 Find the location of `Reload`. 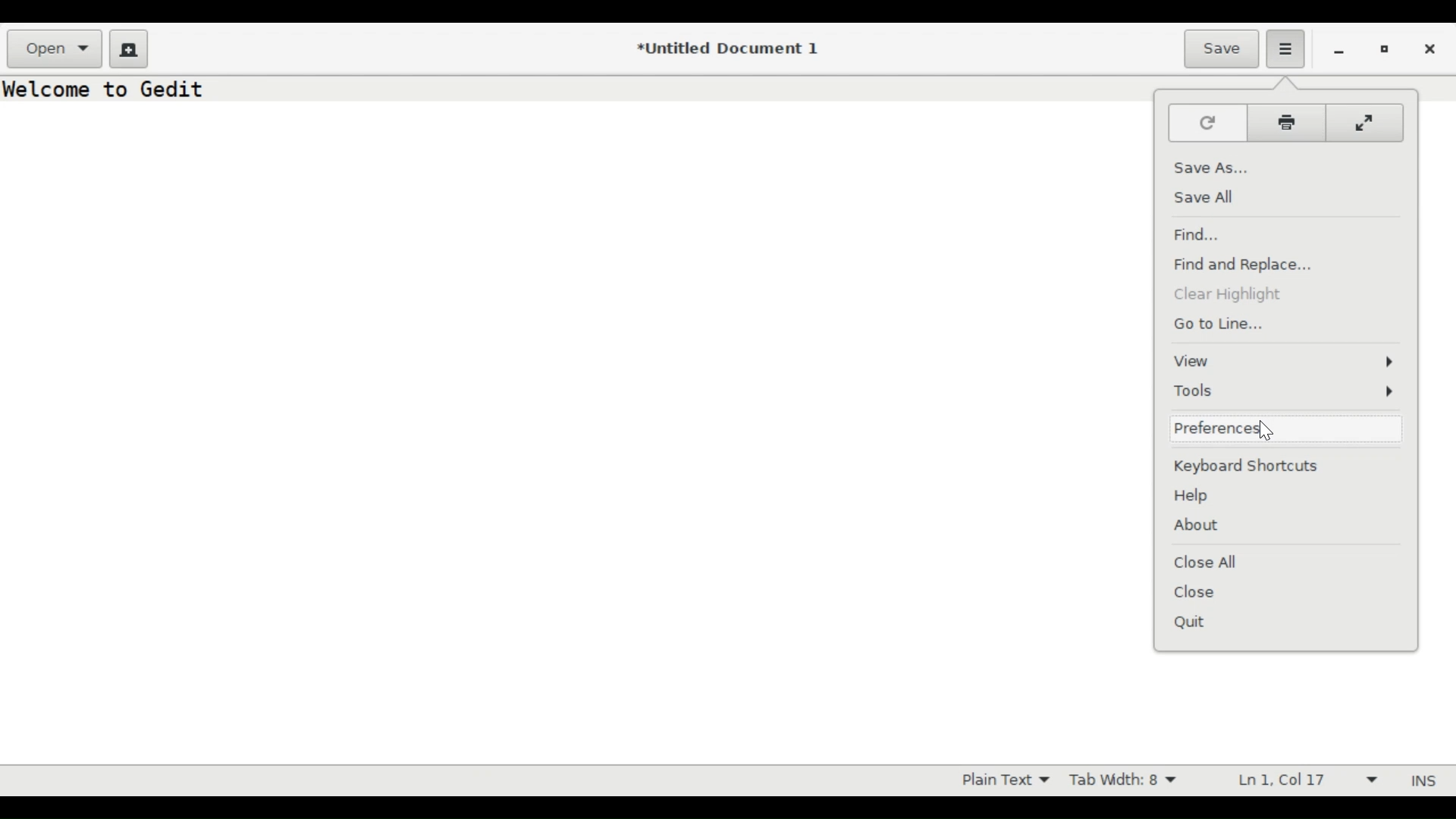

Reload is located at coordinates (1204, 122).